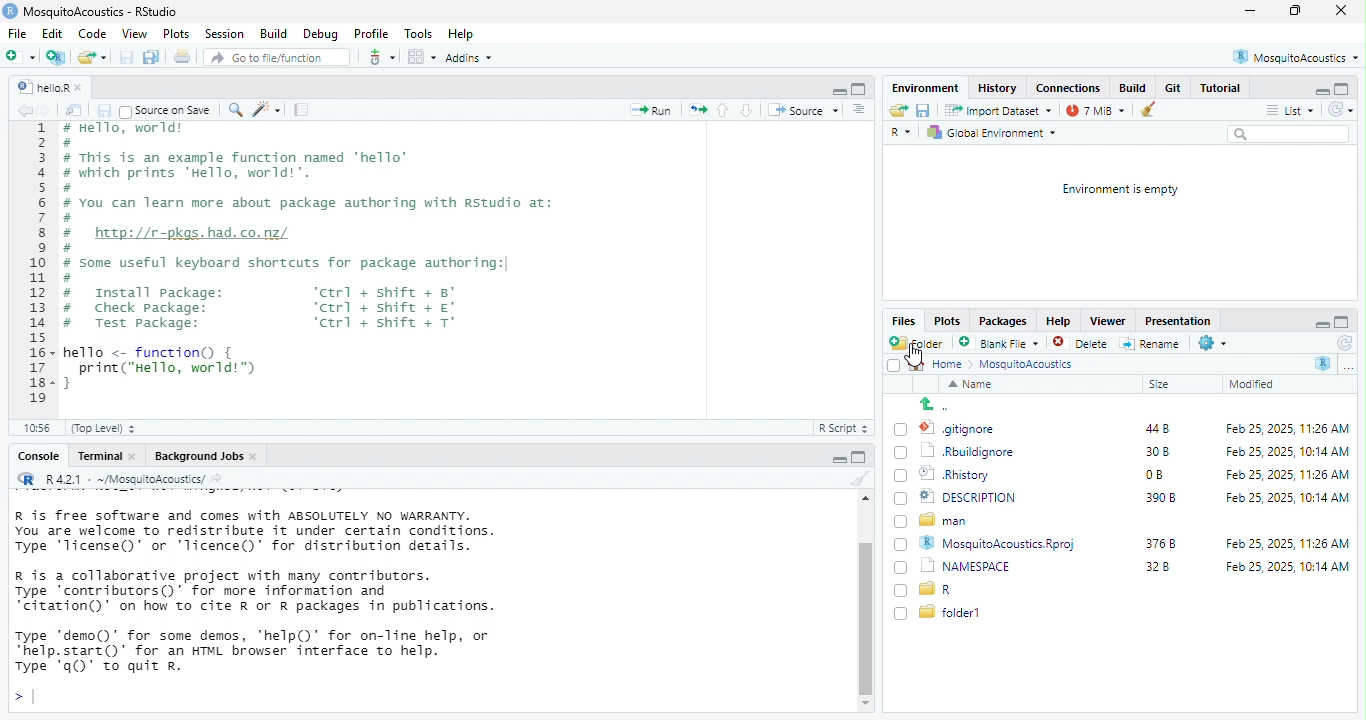 Image resolution: width=1366 pixels, height=720 pixels. What do you see at coordinates (1150, 475) in the screenshot?
I see `0B` at bounding box center [1150, 475].